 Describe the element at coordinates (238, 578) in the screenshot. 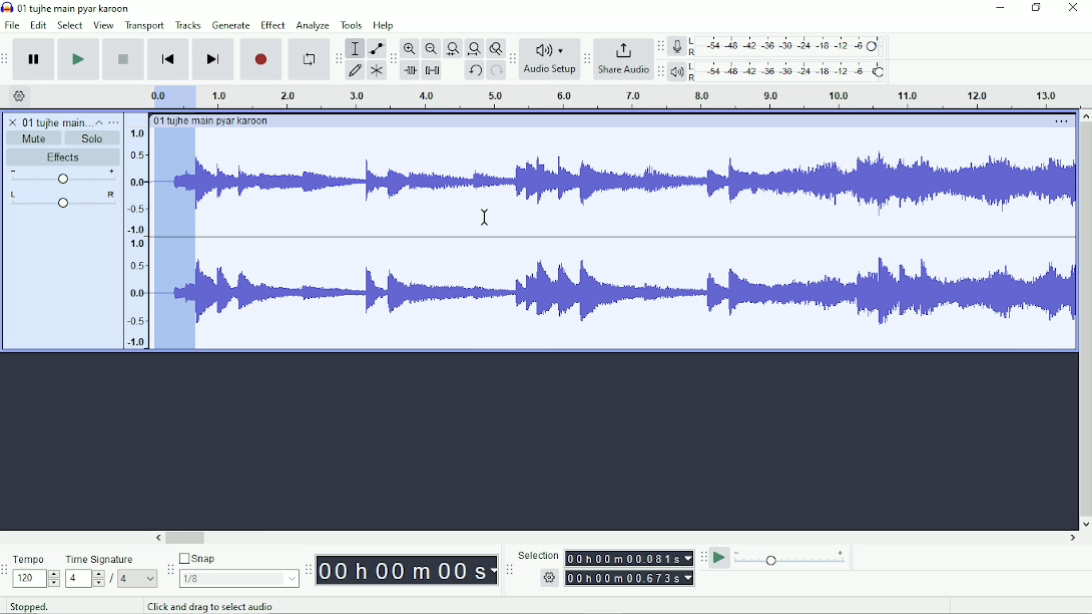

I see `1/8` at that location.